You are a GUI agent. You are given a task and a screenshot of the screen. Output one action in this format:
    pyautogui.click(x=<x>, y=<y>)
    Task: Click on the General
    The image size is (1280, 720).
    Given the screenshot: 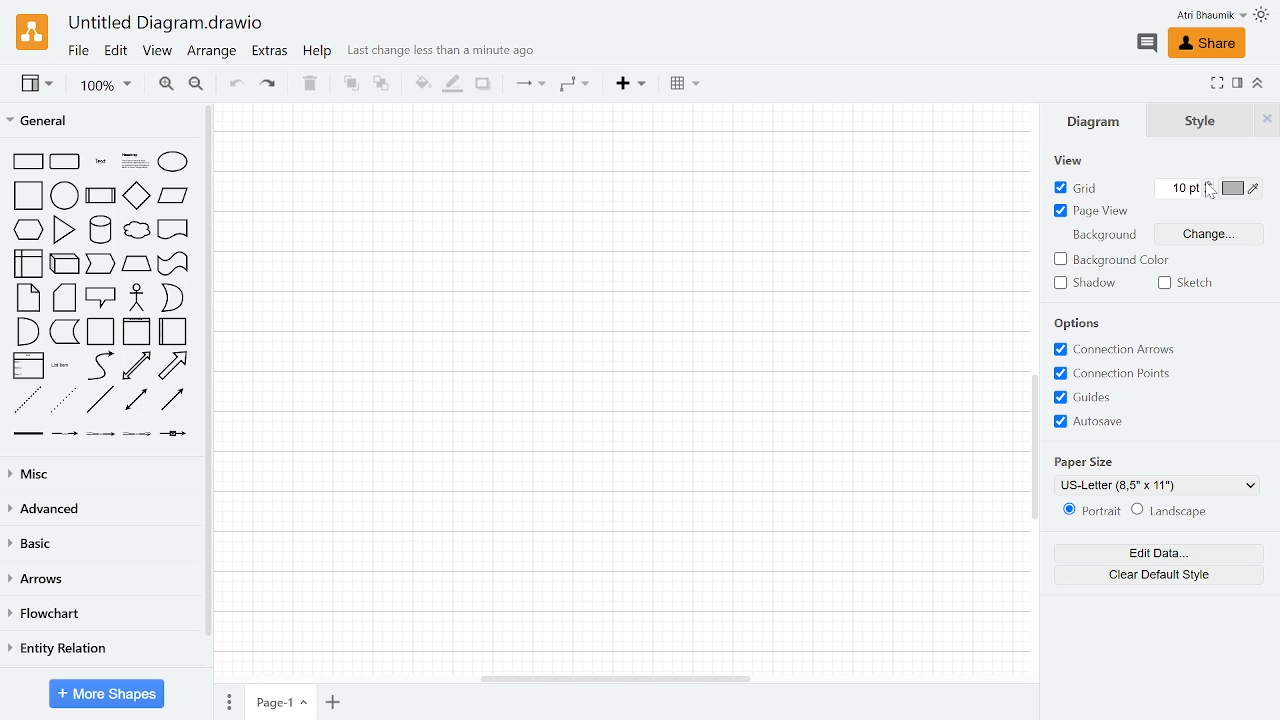 What is the action you would take?
    pyautogui.click(x=48, y=122)
    